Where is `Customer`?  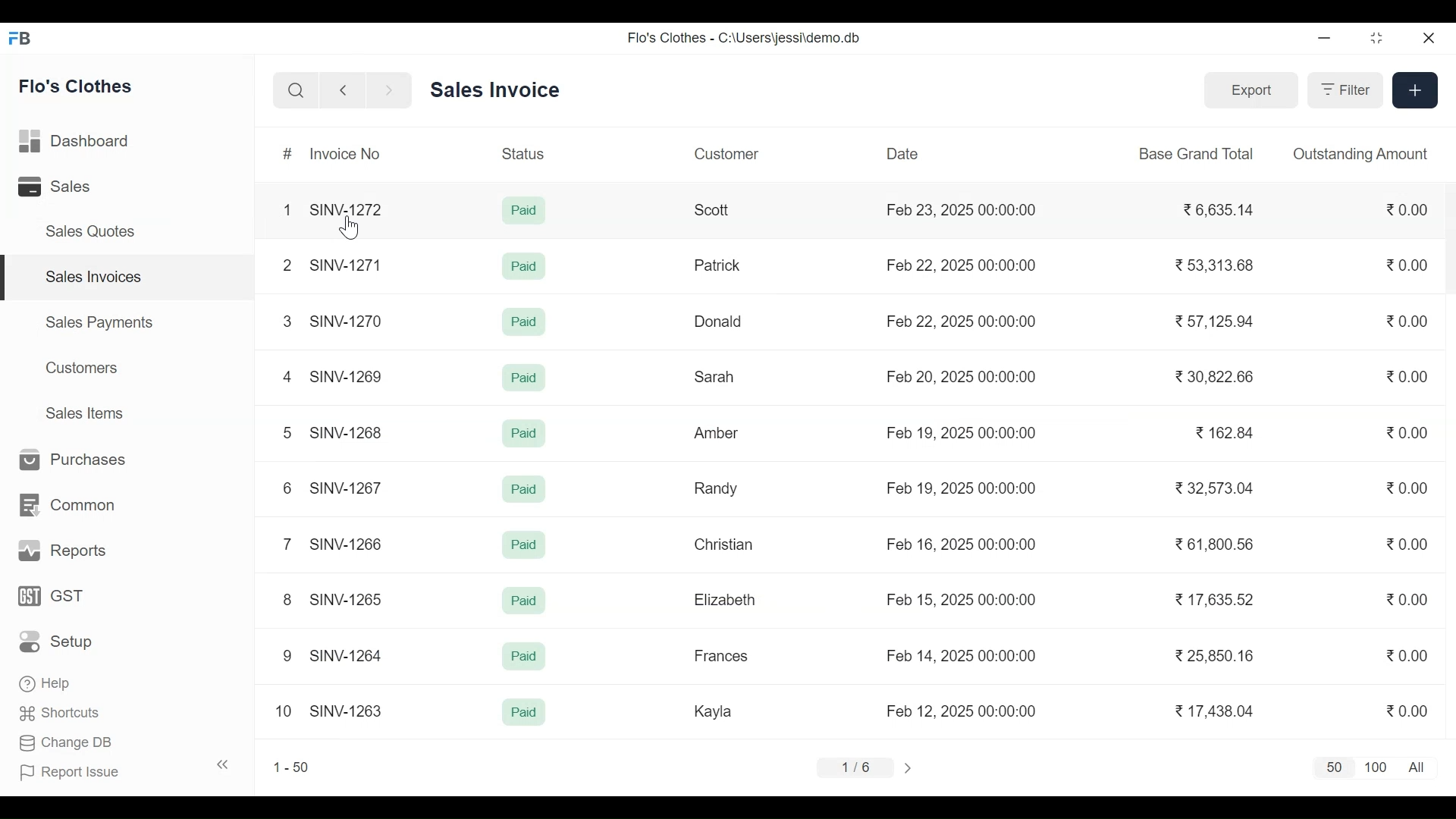 Customer is located at coordinates (728, 155).